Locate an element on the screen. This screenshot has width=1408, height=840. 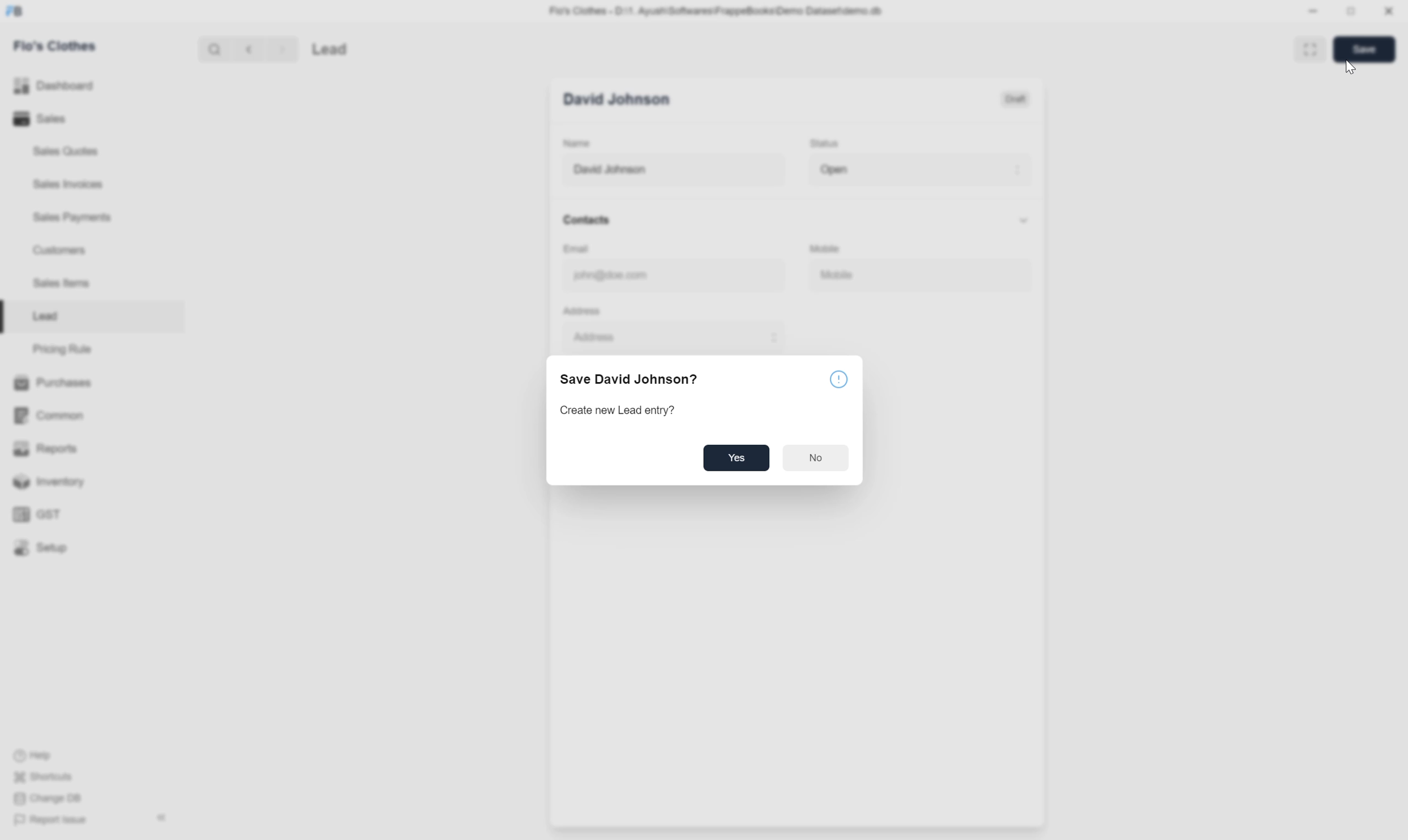
FB is located at coordinates (15, 12).